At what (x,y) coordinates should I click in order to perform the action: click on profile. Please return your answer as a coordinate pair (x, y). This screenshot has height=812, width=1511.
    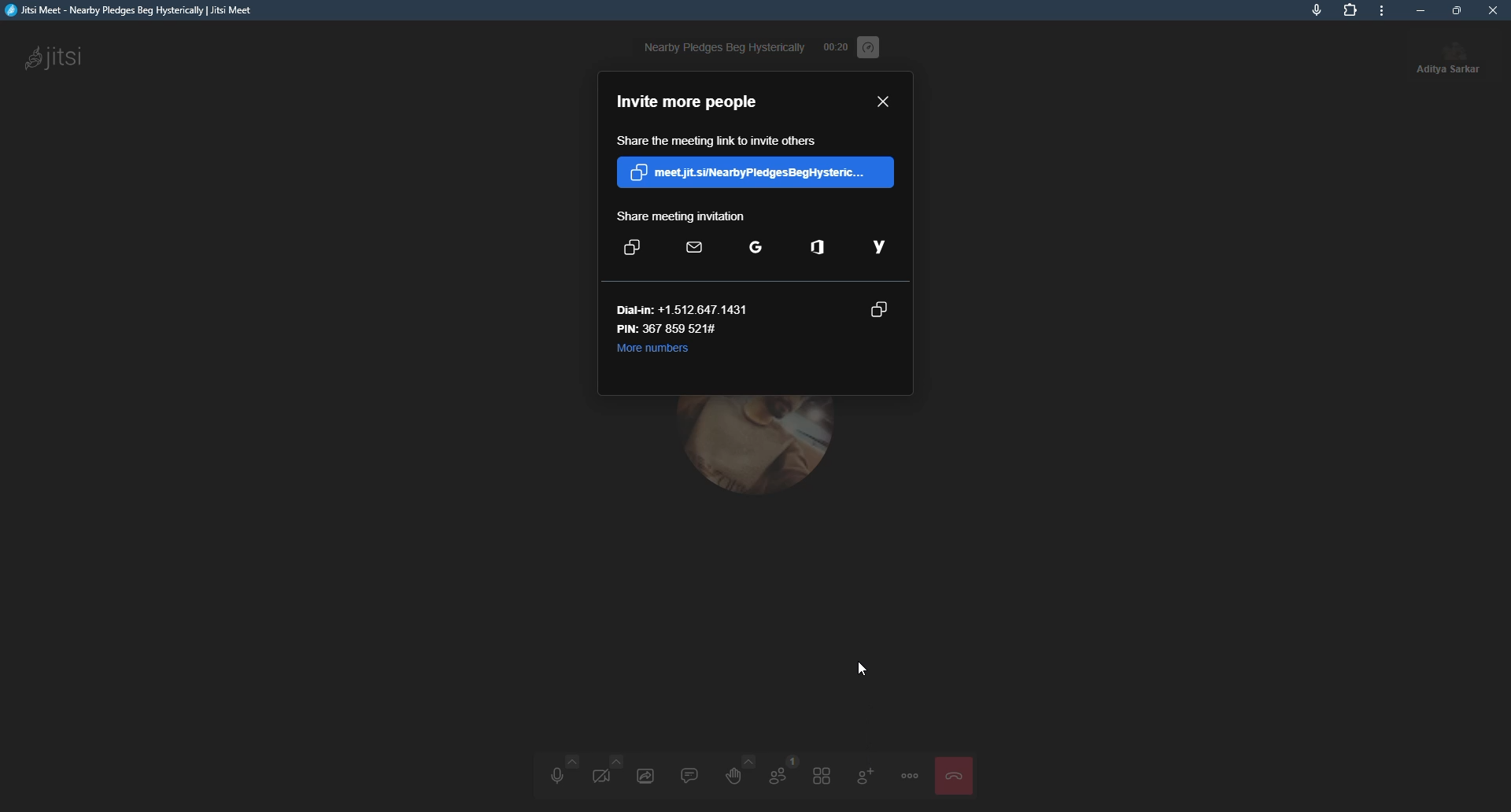
    Looking at the image, I should click on (1448, 57).